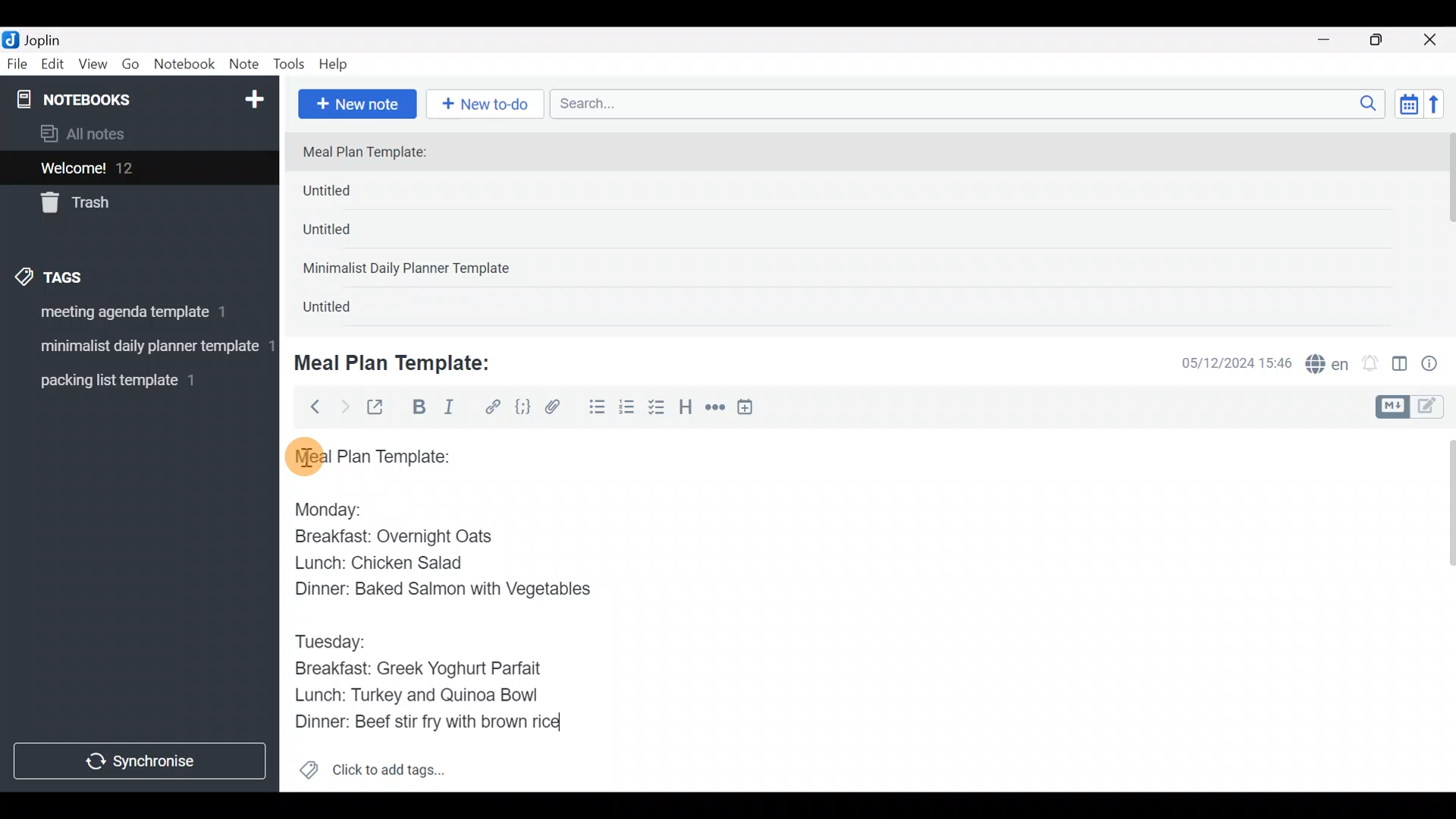  What do you see at coordinates (253, 96) in the screenshot?
I see `New` at bounding box center [253, 96].